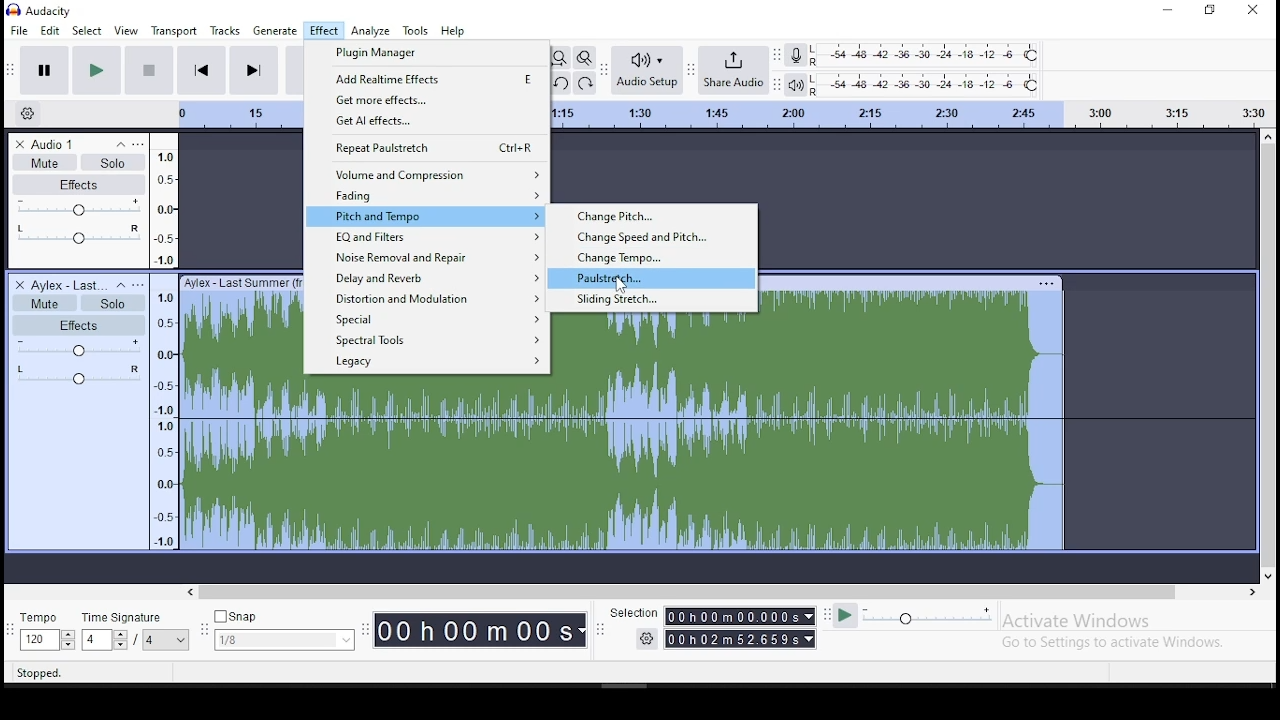  What do you see at coordinates (65, 284) in the screenshot?
I see `audio ` at bounding box center [65, 284].